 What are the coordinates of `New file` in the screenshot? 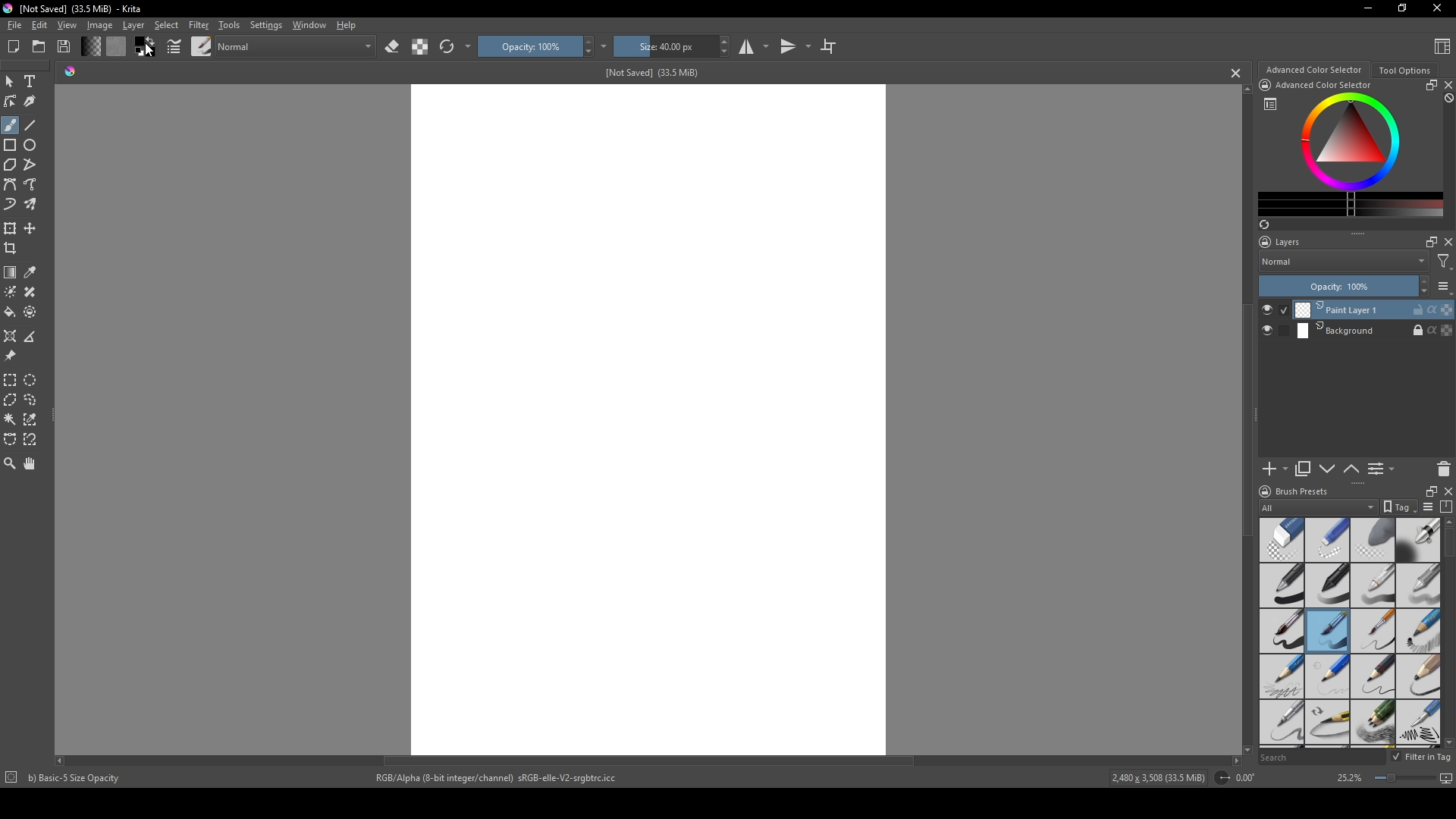 It's located at (11, 48).